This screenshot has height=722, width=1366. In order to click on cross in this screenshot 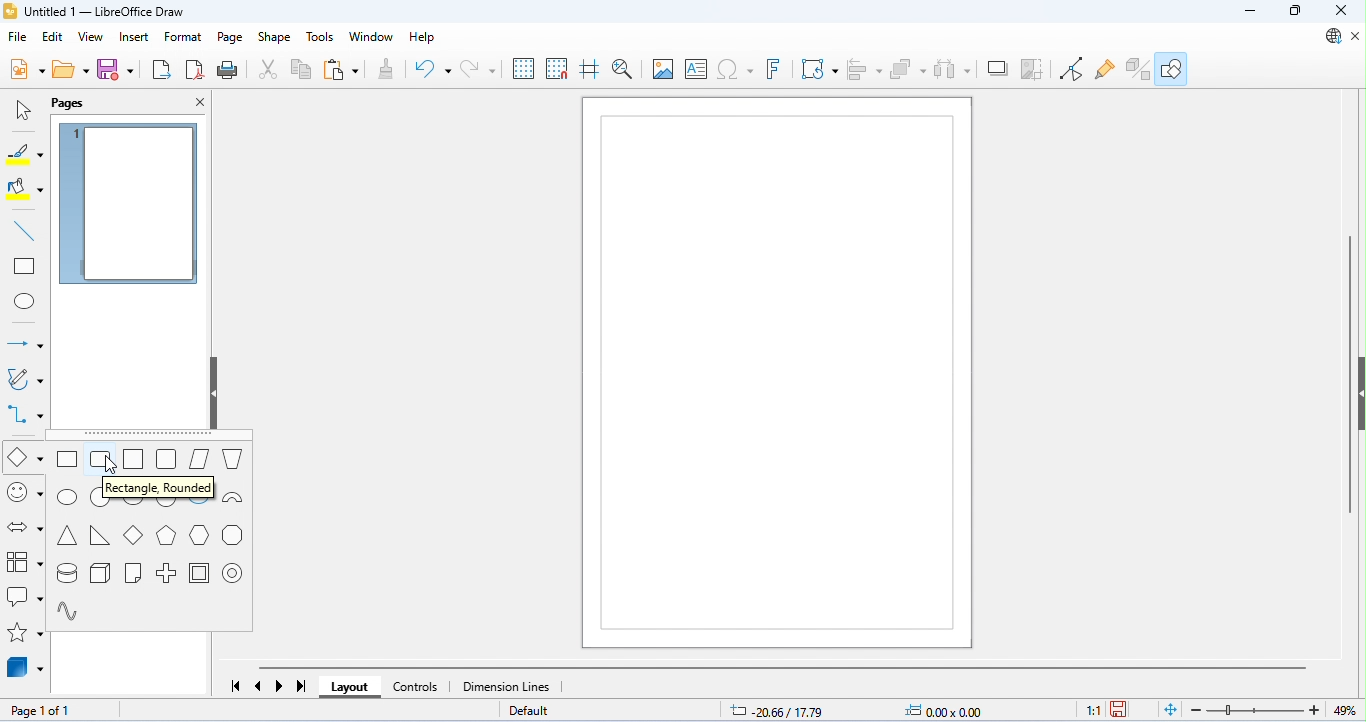, I will do `click(167, 574)`.